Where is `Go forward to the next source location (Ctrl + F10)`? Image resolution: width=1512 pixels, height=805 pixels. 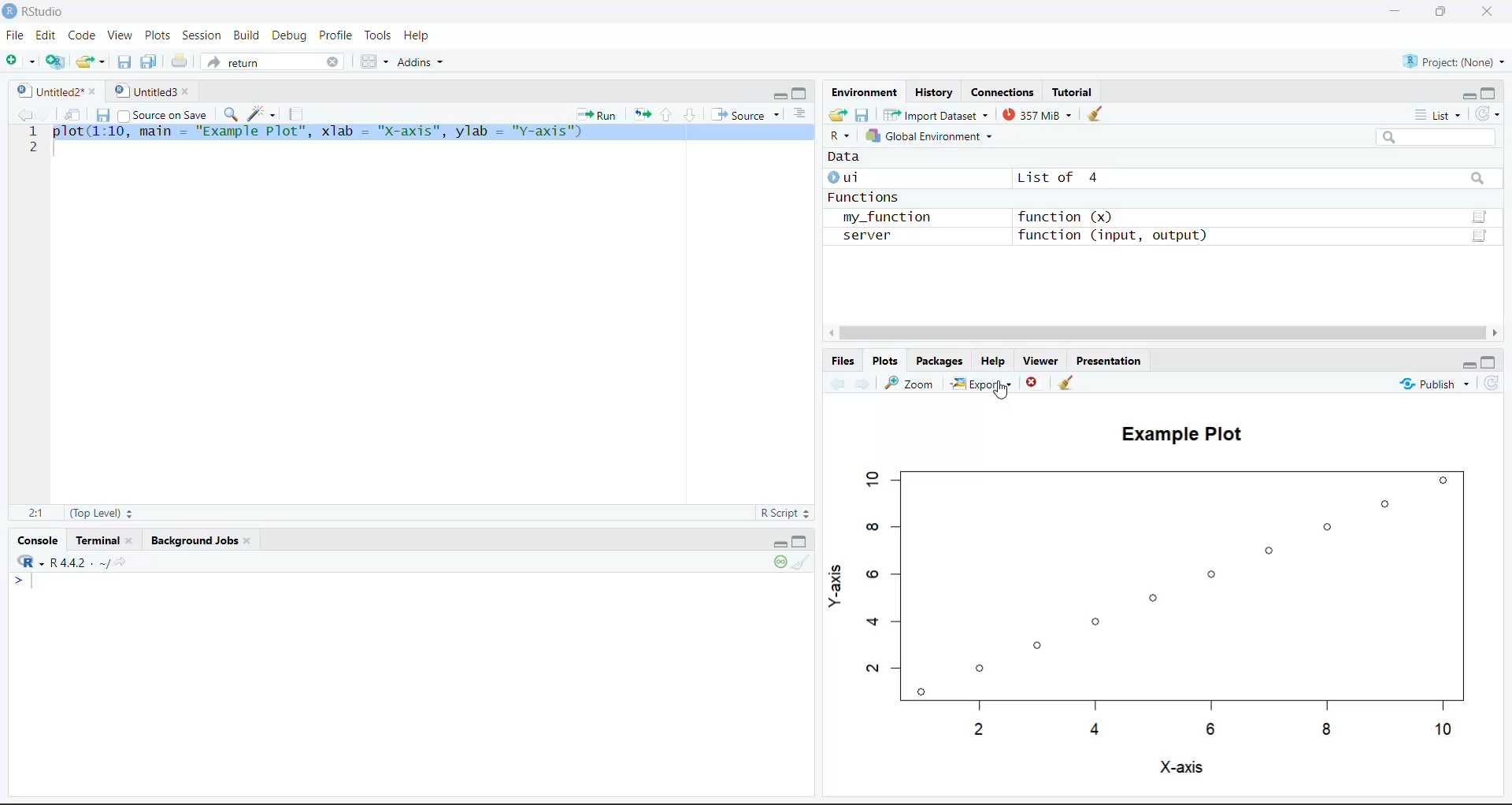
Go forward to the next source location (Ctrl + F10) is located at coordinates (45, 112).